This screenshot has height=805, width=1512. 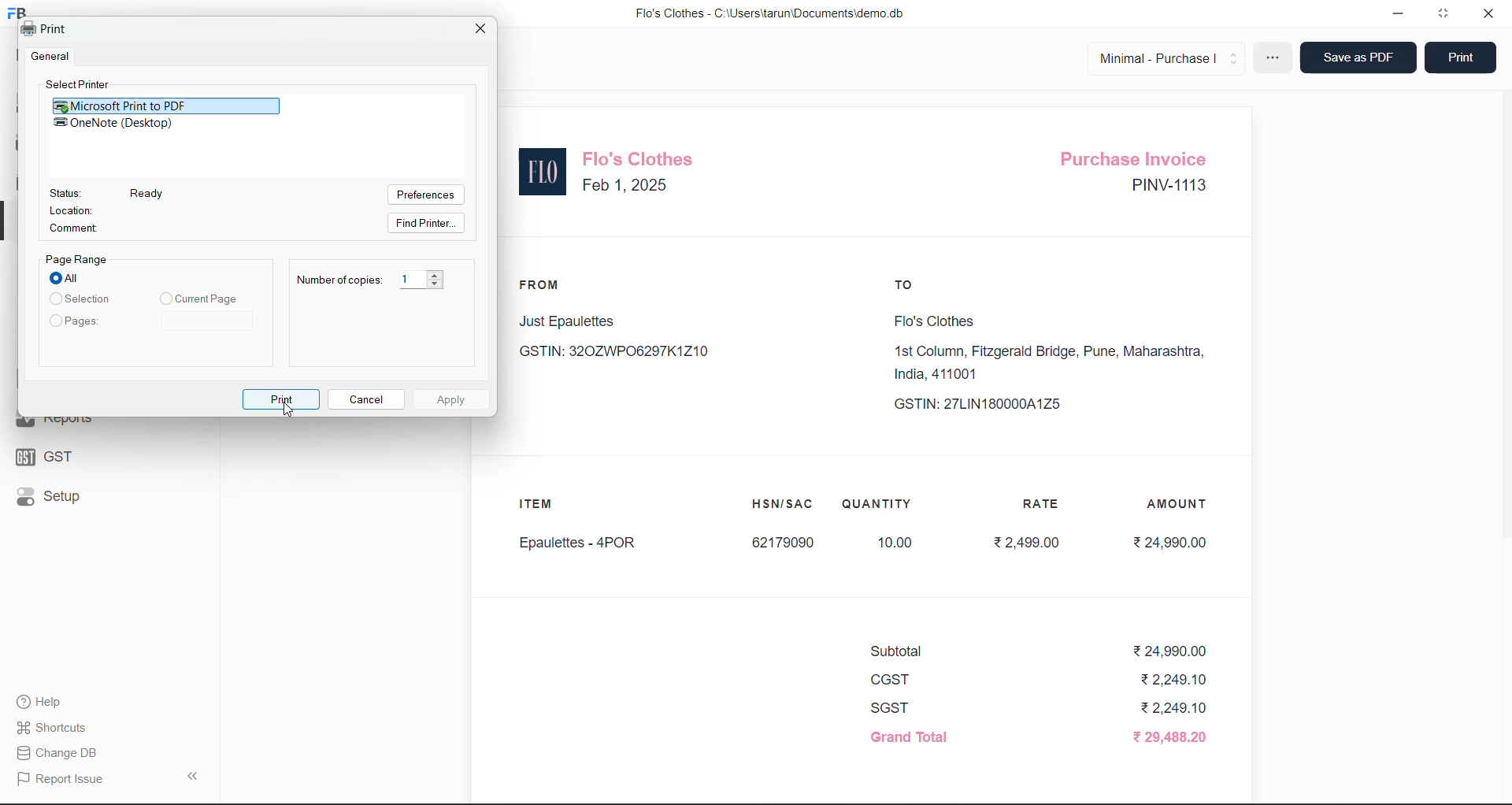 I want to click on Number of copies: 1, so click(x=343, y=279).